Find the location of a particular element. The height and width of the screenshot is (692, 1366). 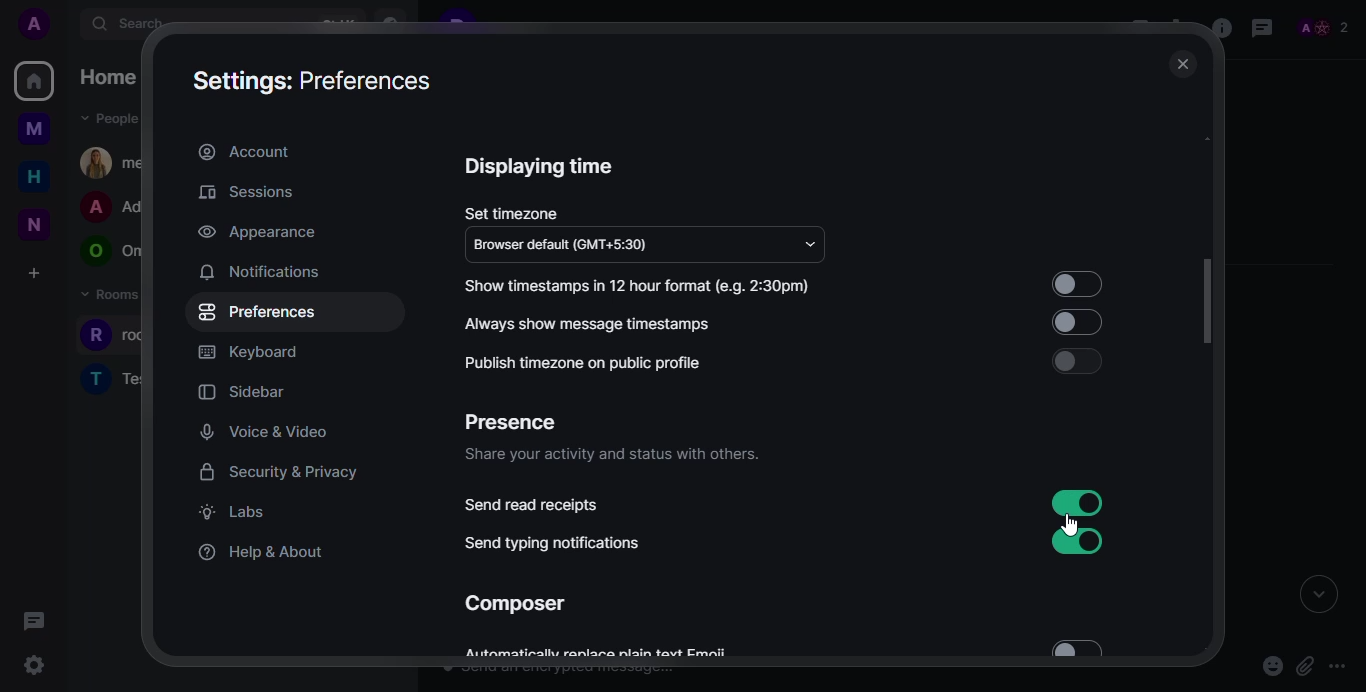

rooms dropdown is located at coordinates (120, 294).